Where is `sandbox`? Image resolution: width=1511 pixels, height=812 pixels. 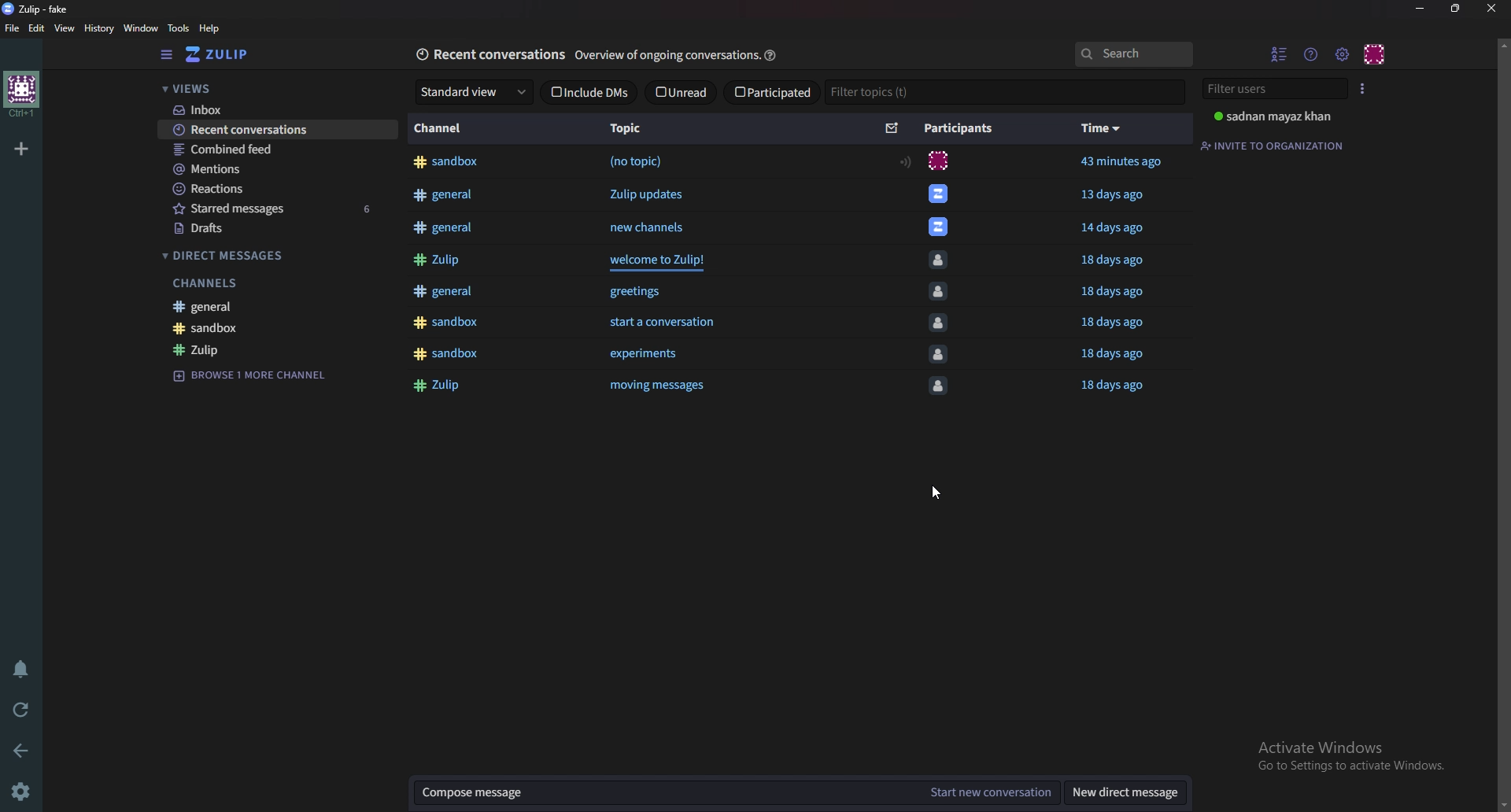
sandbox is located at coordinates (276, 351).